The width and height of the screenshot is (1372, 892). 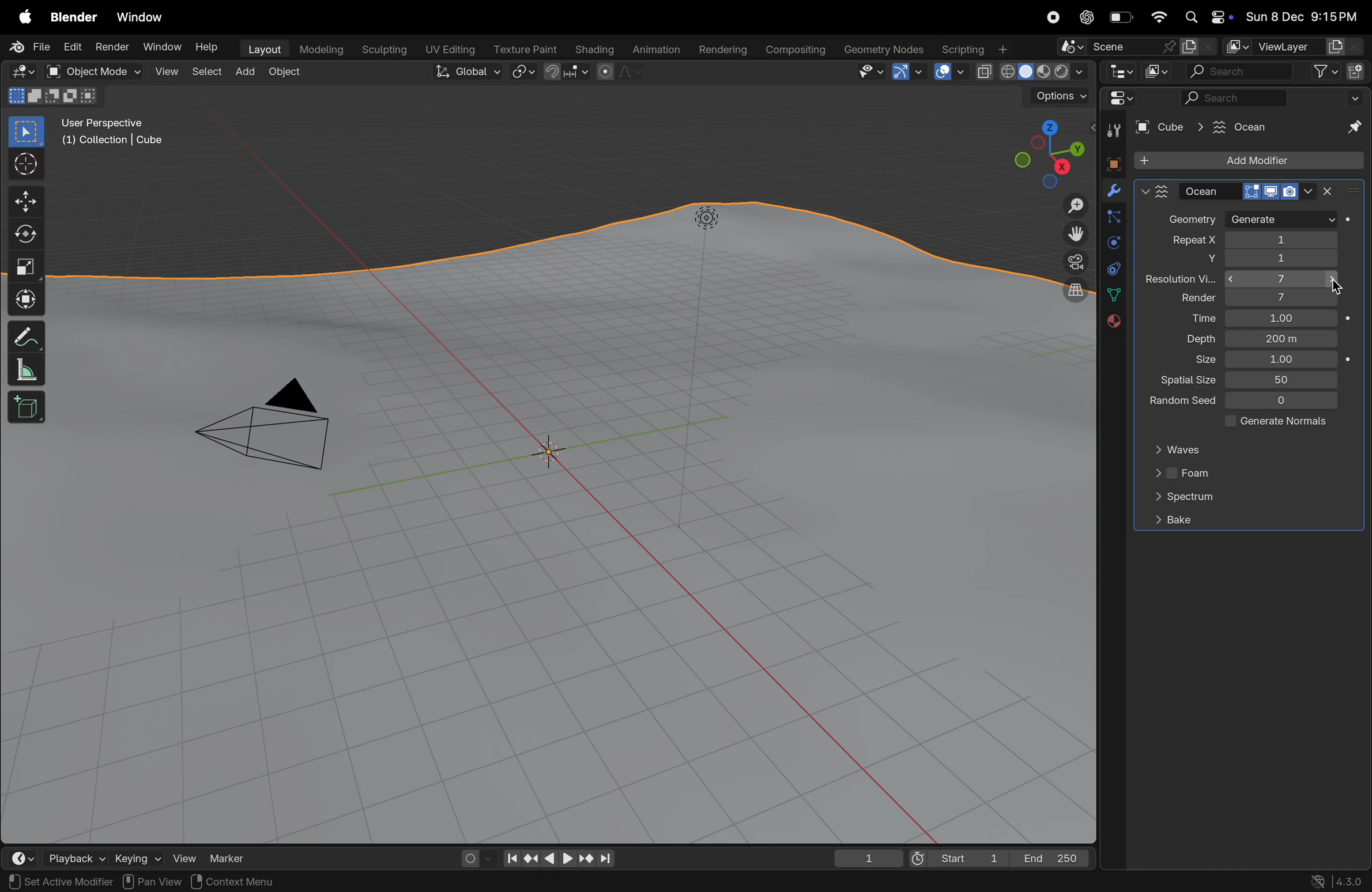 I want to click on add cube, so click(x=27, y=409).